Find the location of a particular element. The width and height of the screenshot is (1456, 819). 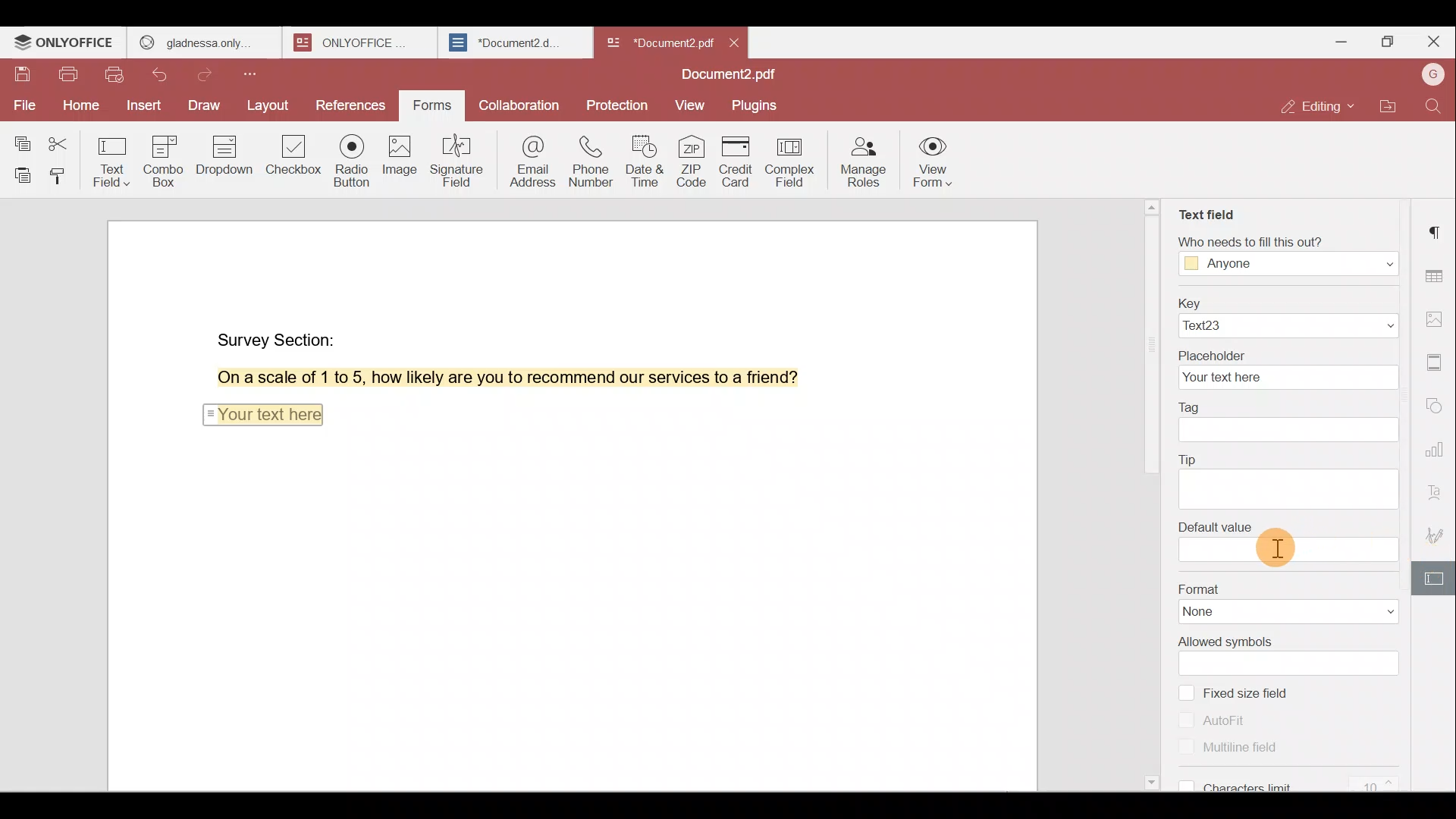

Complex field is located at coordinates (794, 163).